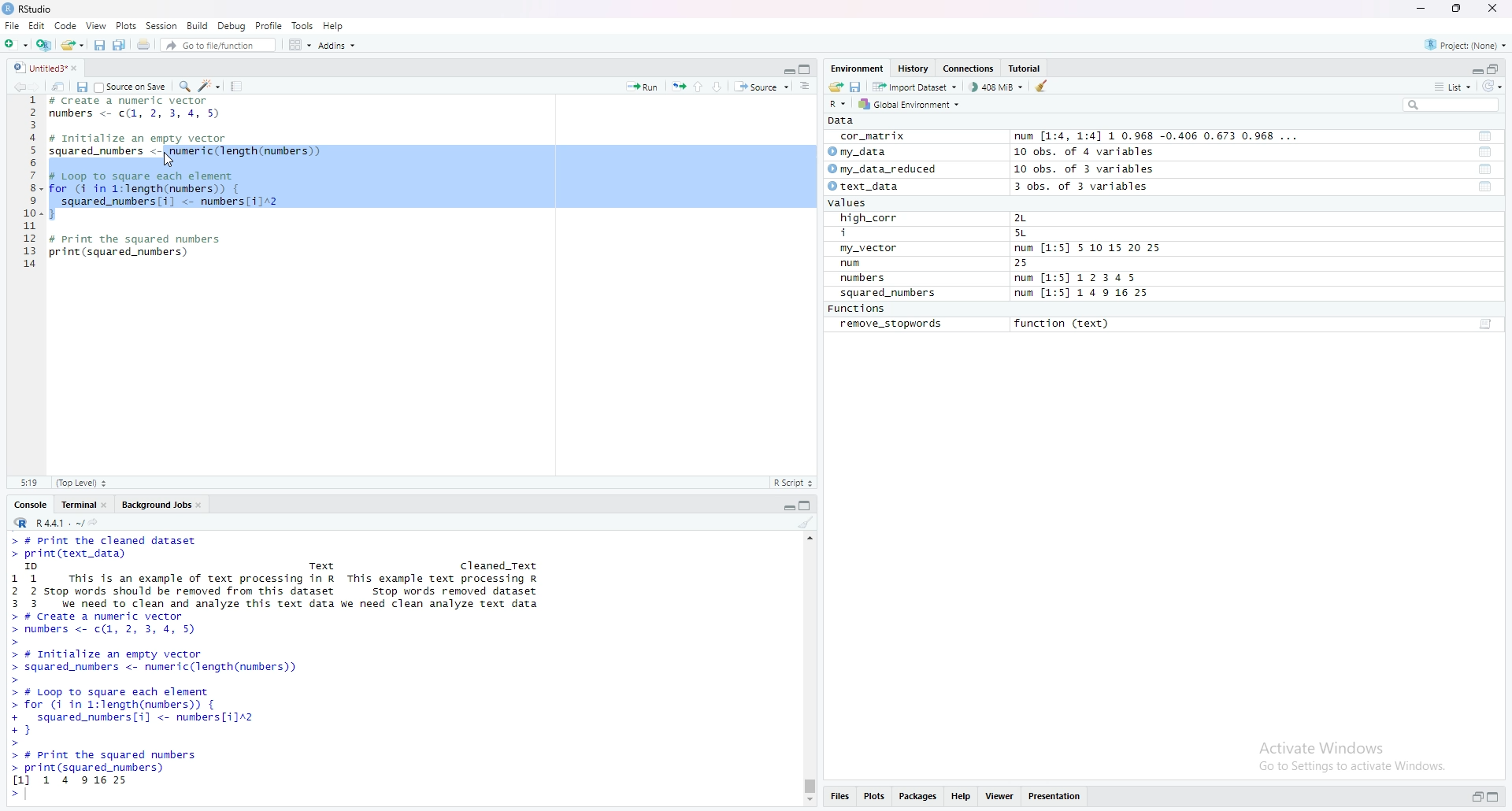  I want to click on Terminal, so click(76, 503).